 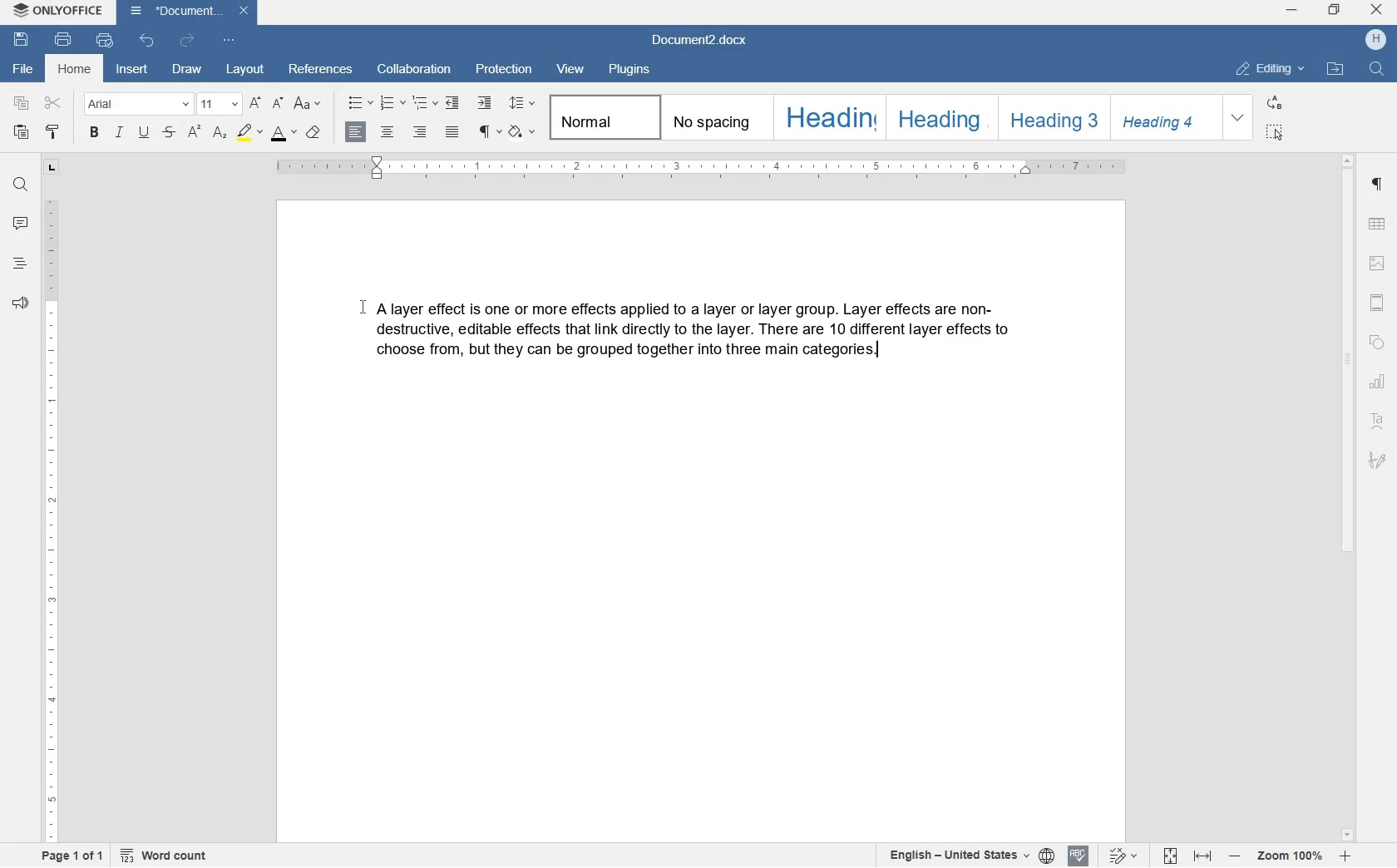 I want to click on decrement font size, so click(x=277, y=104).